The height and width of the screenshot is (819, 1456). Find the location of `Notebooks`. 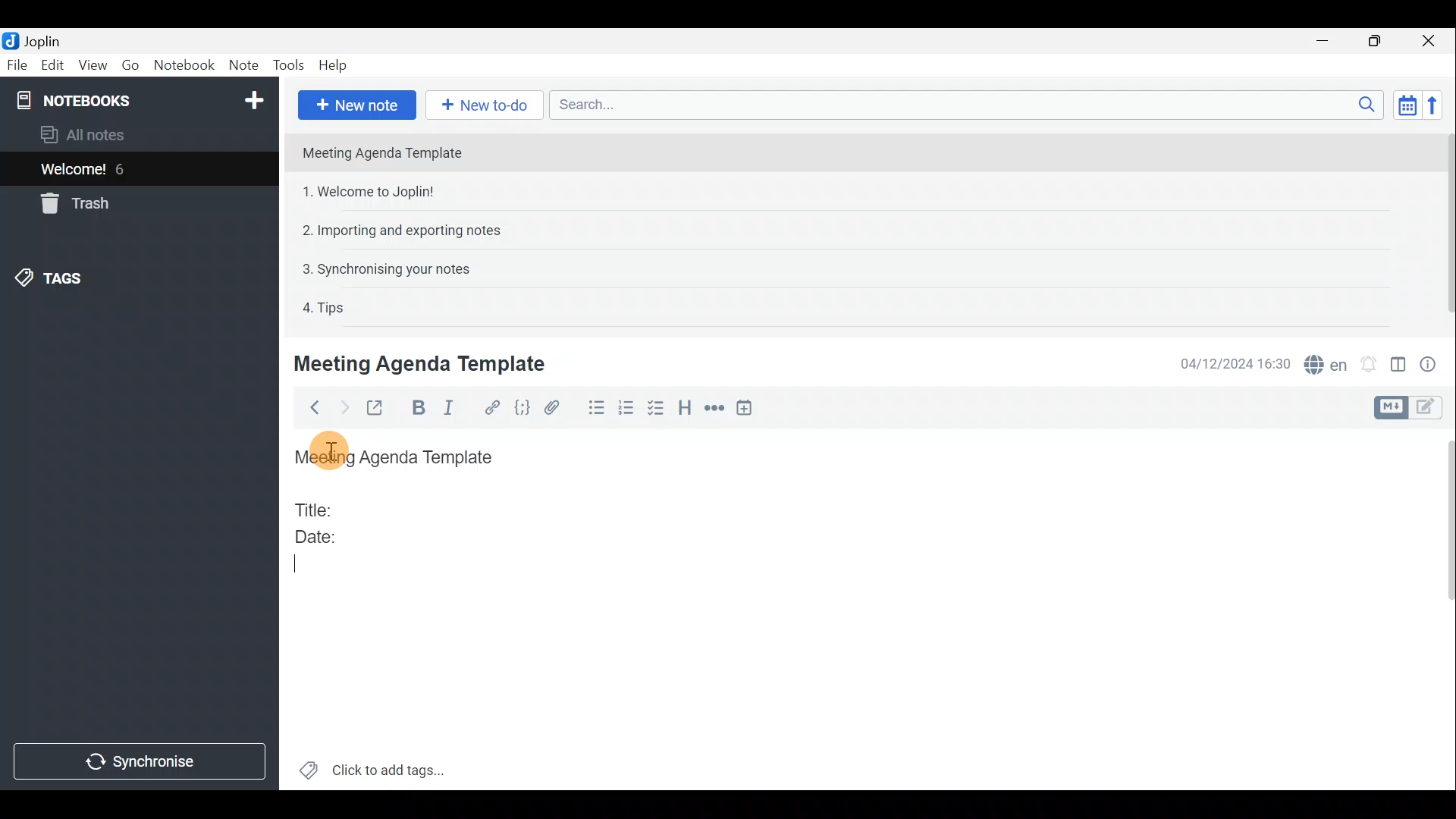

Notebooks is located at coordinates (142, 99).